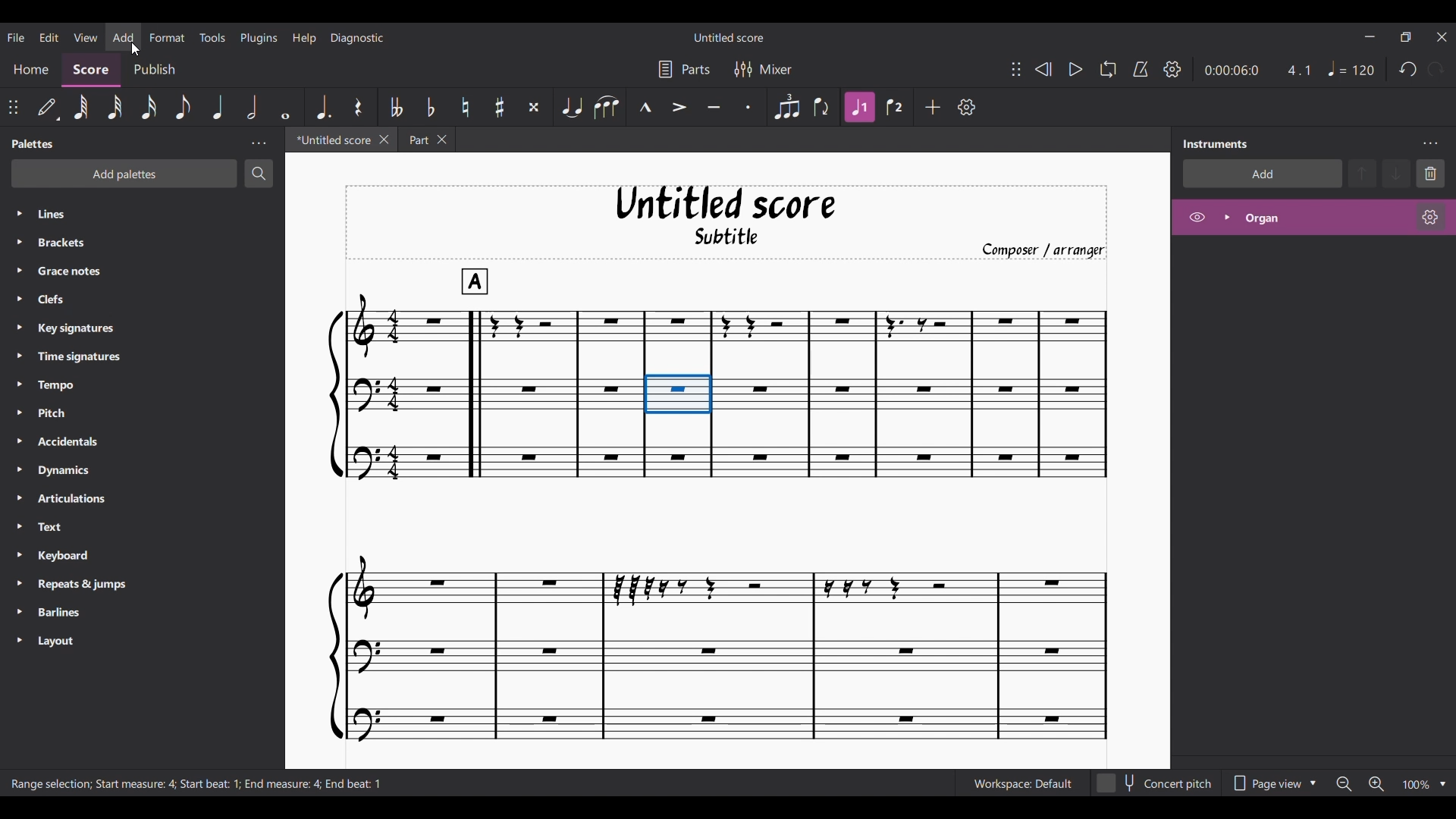 This screenshot has width=1456, height=819. What do you see at coordinates (184, 108) in the screenshot?
I see `8th note` at bounding box center [184, 108].